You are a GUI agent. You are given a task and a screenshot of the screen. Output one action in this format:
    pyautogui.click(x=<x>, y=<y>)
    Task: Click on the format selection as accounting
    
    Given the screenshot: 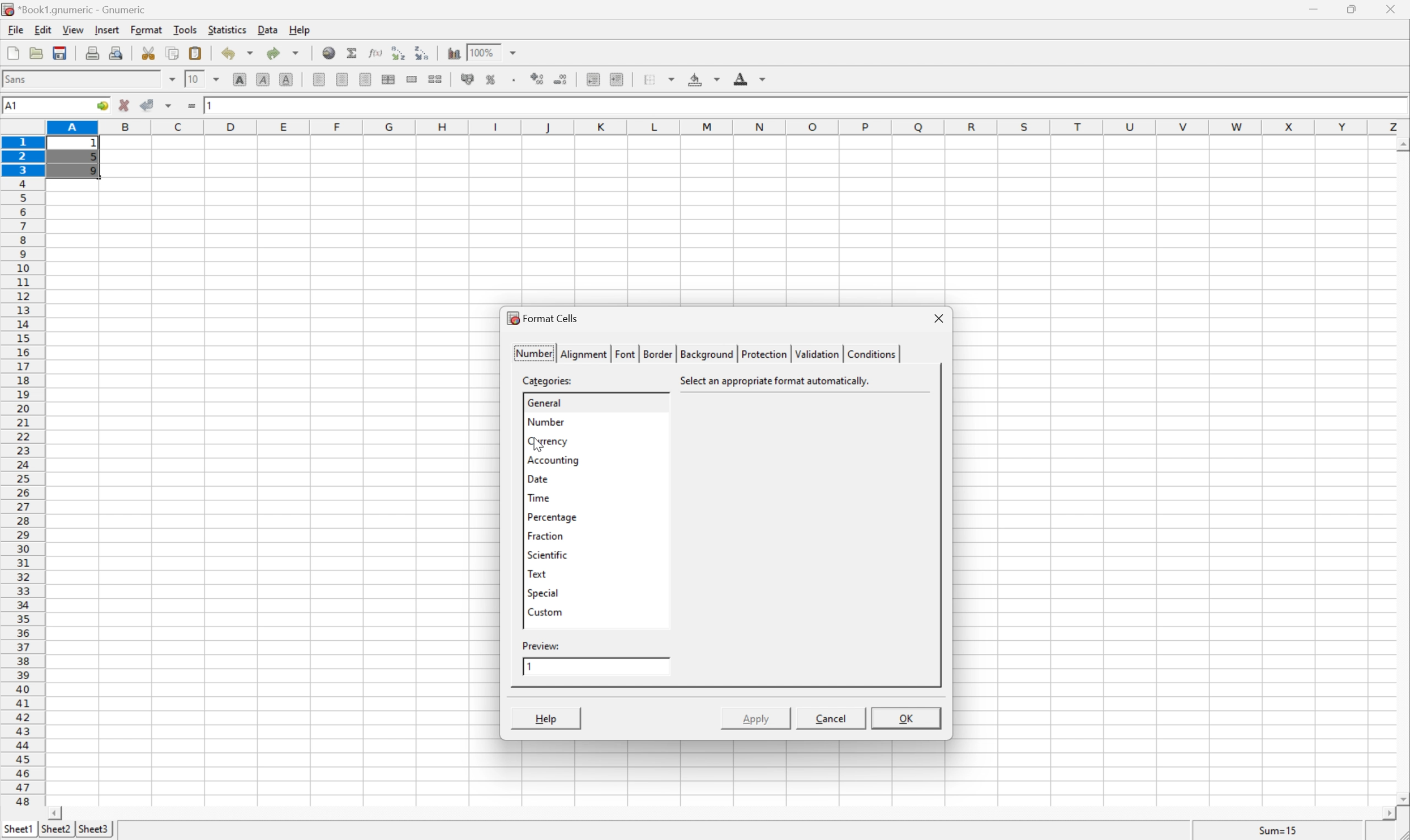 What is the action you would take?
    pyautogui.click(x=468, y=79)
    